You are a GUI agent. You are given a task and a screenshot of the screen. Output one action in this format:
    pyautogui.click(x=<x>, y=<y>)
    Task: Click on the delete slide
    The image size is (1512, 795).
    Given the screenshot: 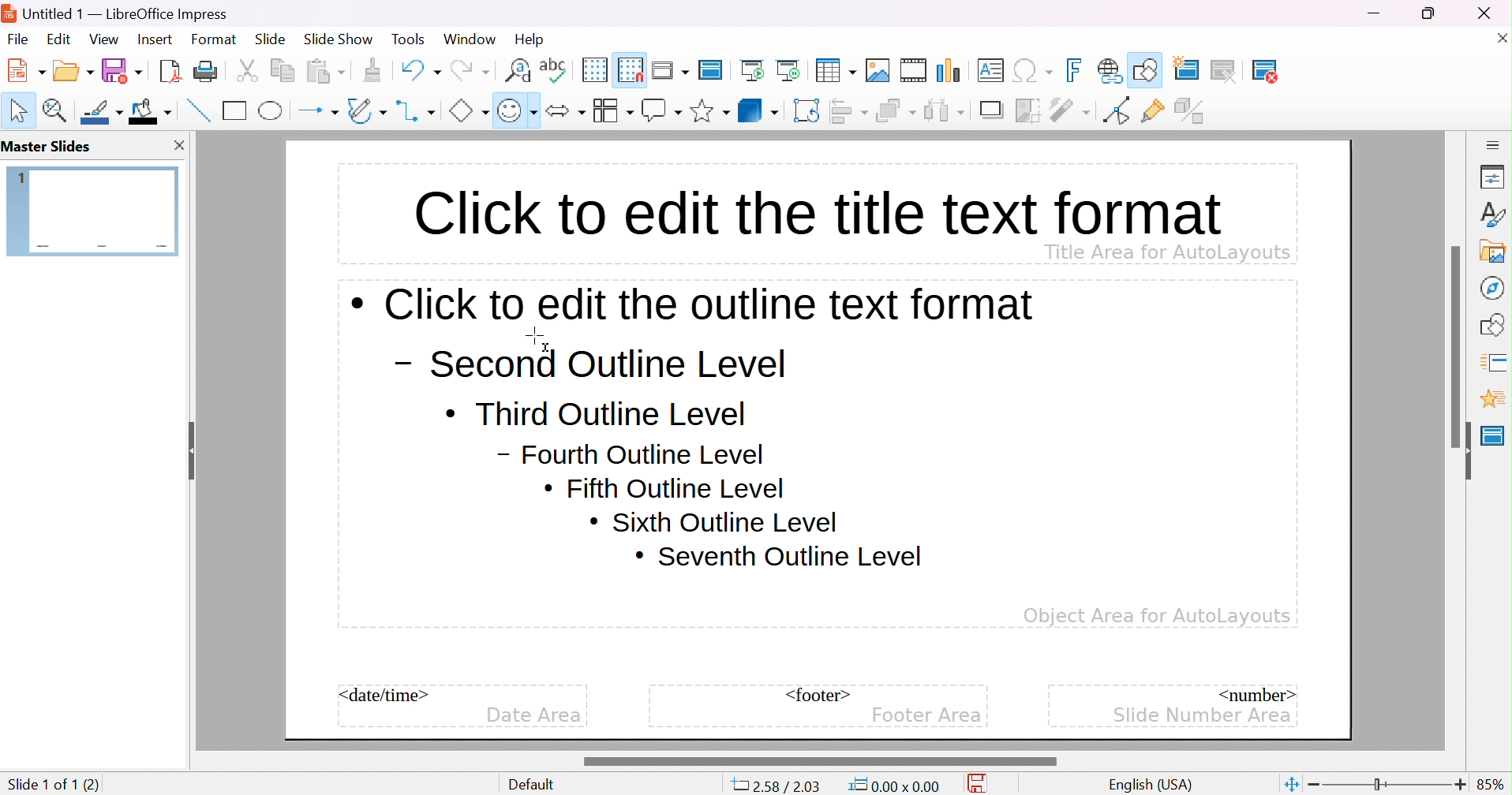 What is the action you would take?
    pyautogui.click(x=1275, y=71)
    